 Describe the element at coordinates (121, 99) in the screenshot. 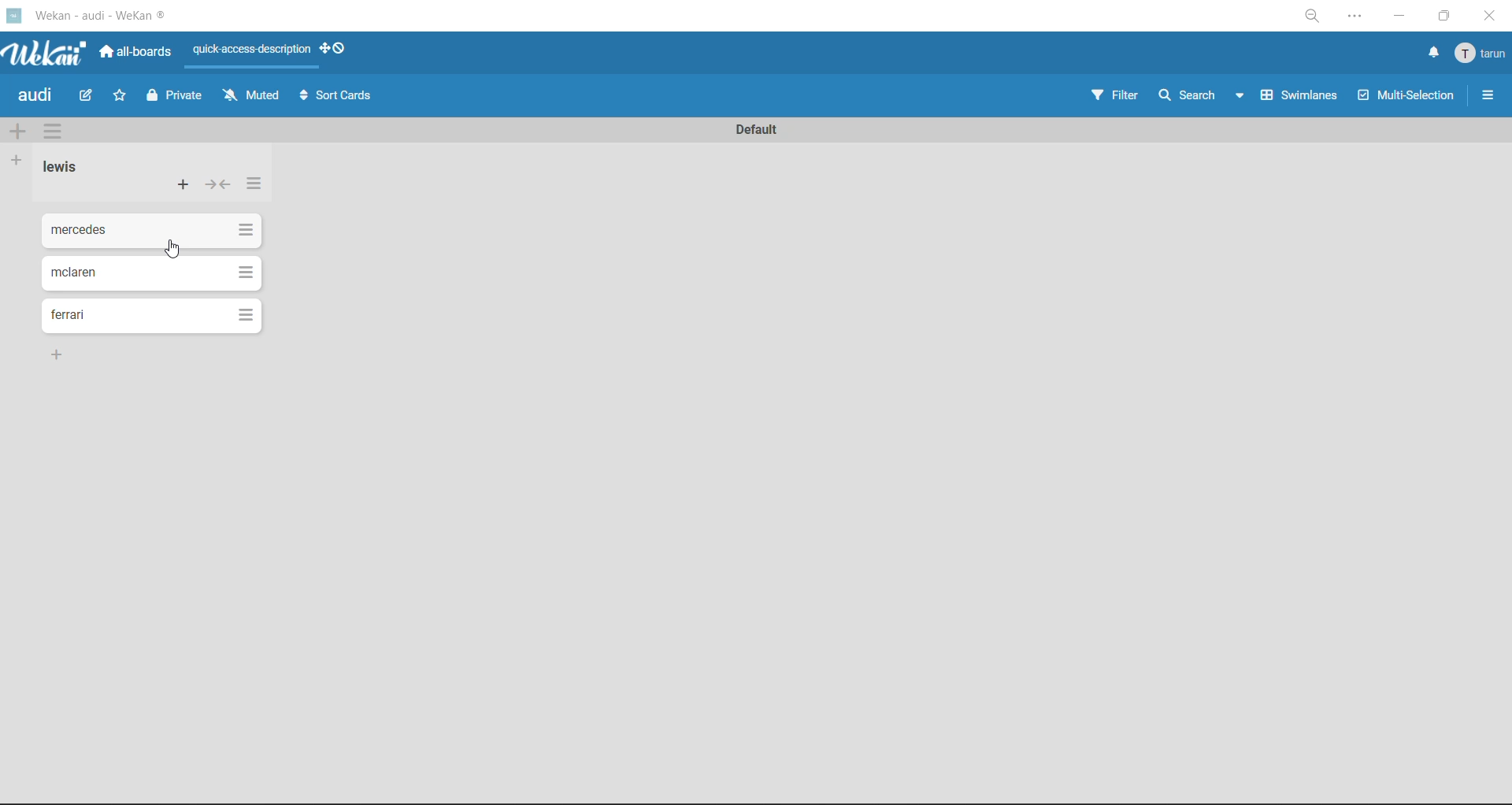

I see `star` at that location.